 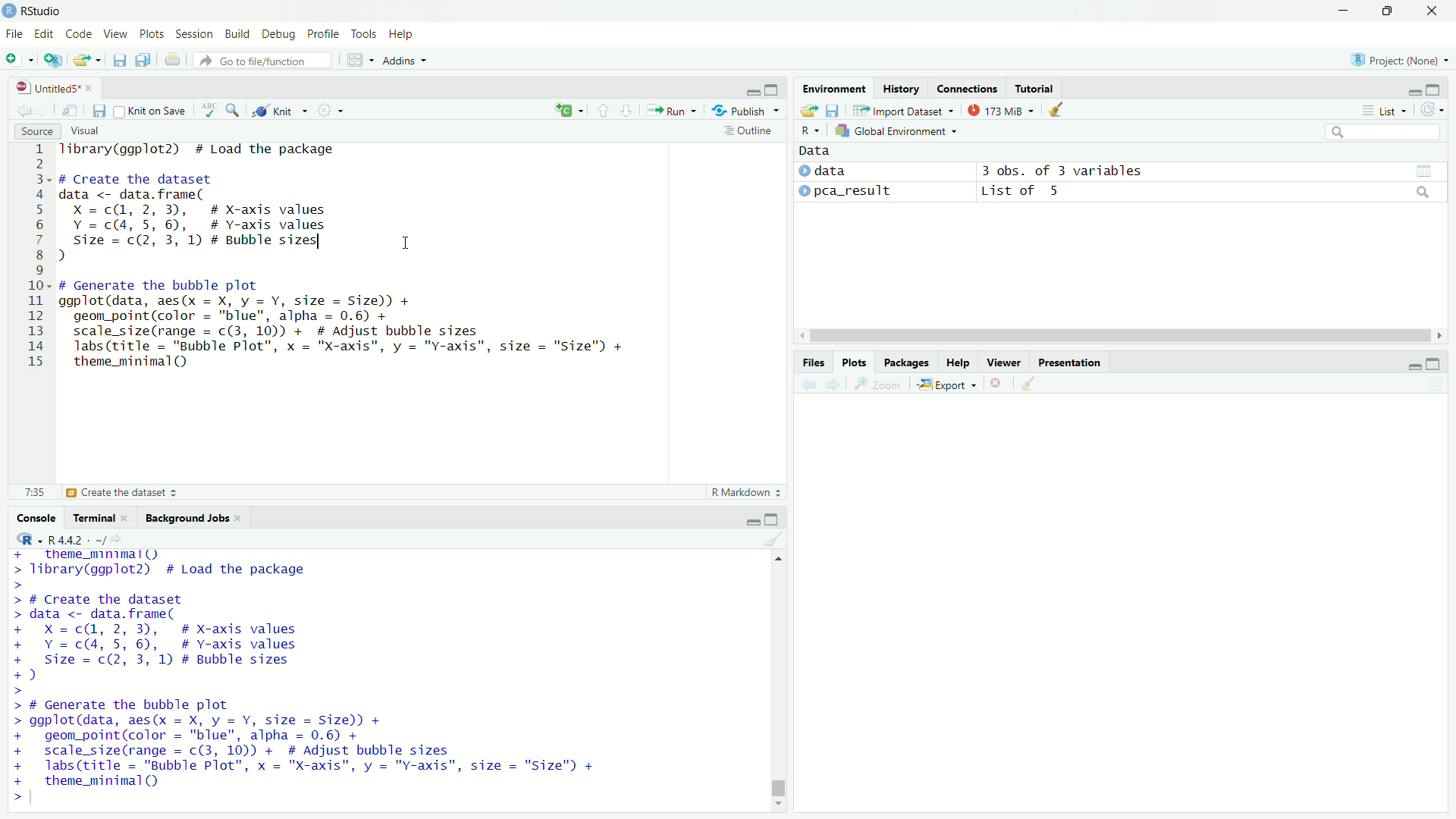 What do you see at coordinates (1398, 59) in the screenshot?
I see `selected project : none` at bounding box center [1398, 59].